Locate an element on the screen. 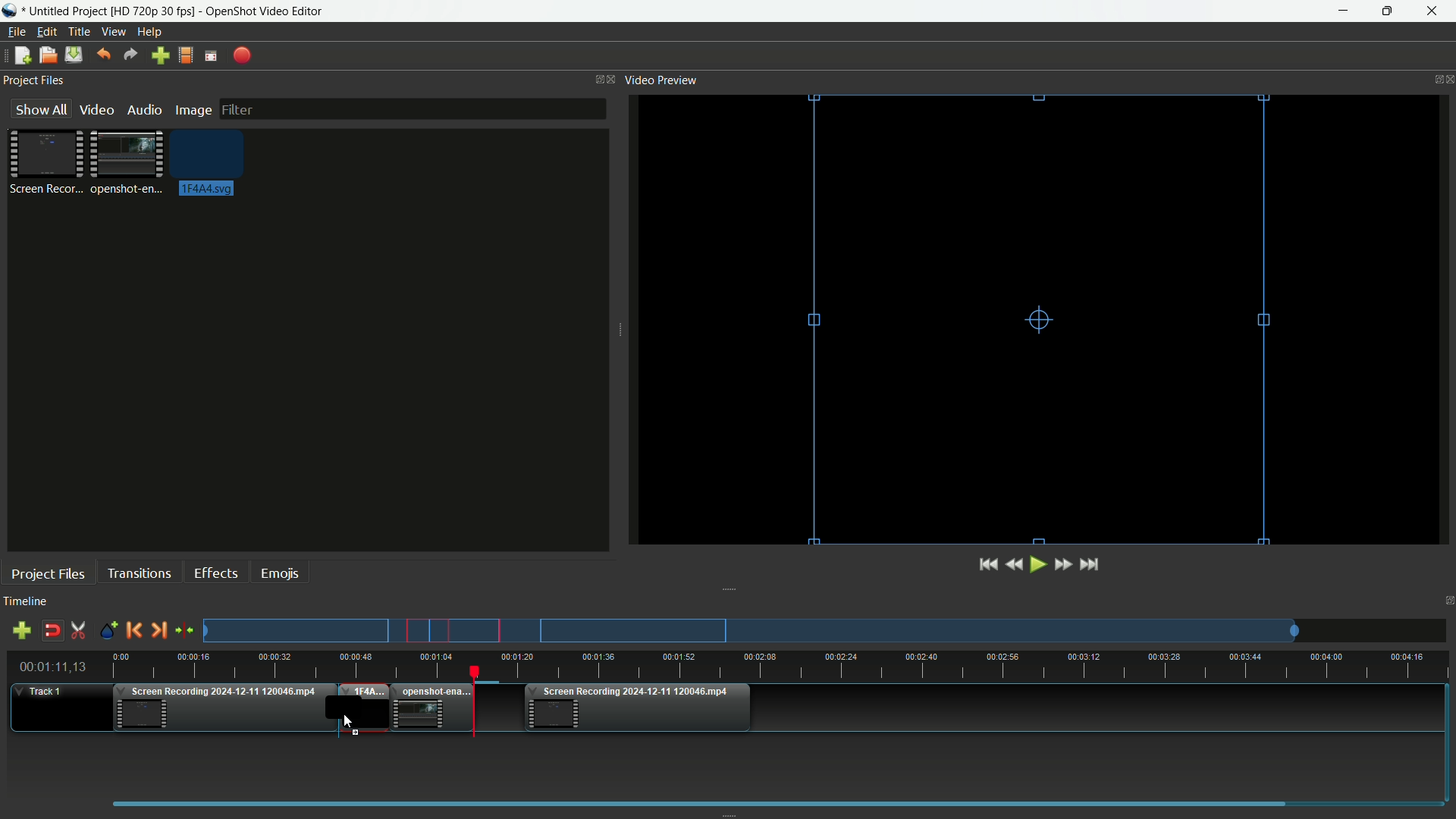 Image resolution: width=1456 pixels, height=819 pixels. help menu is located at coordinates (151, 33).